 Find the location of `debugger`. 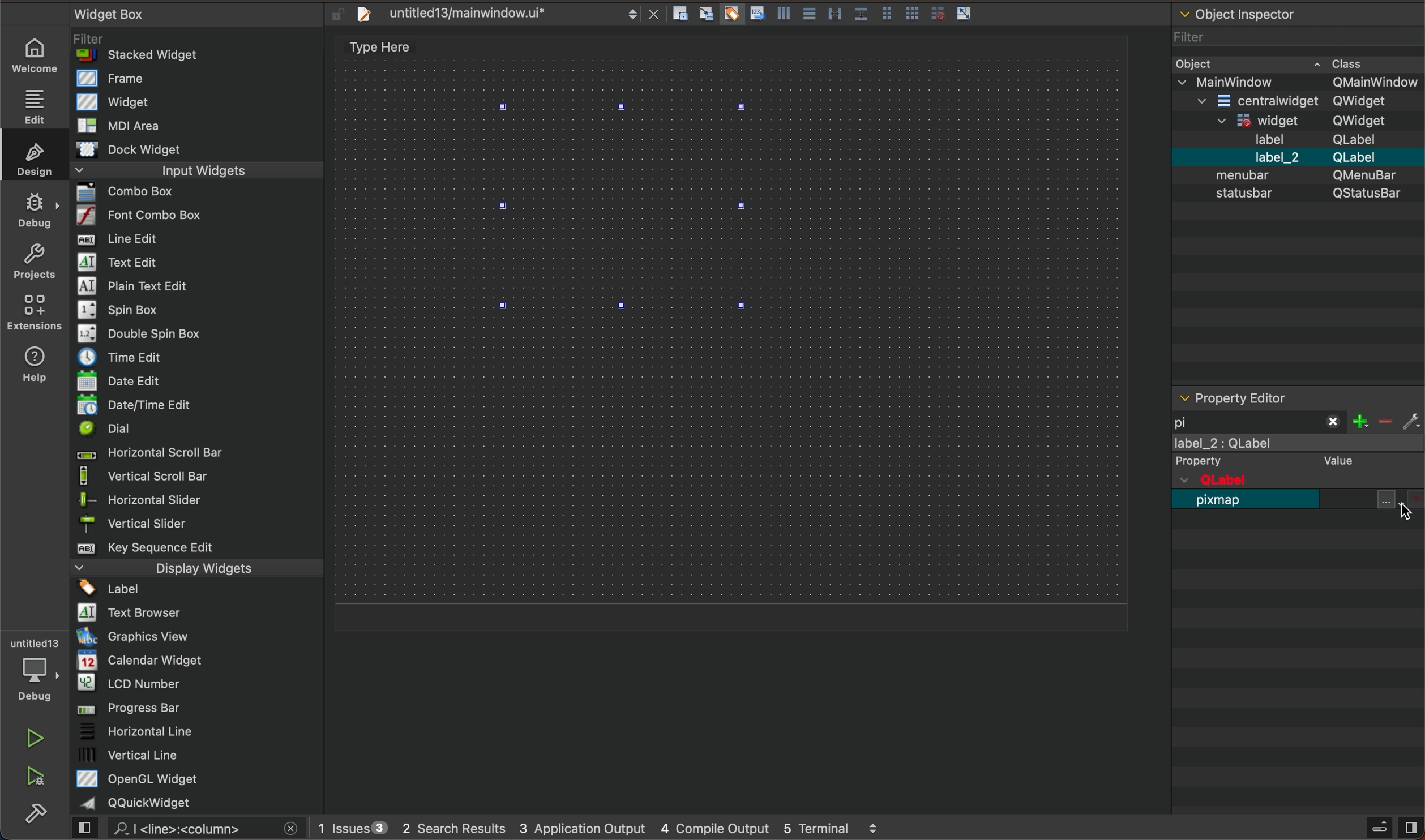

debugger is located at coordinates (33, 668).